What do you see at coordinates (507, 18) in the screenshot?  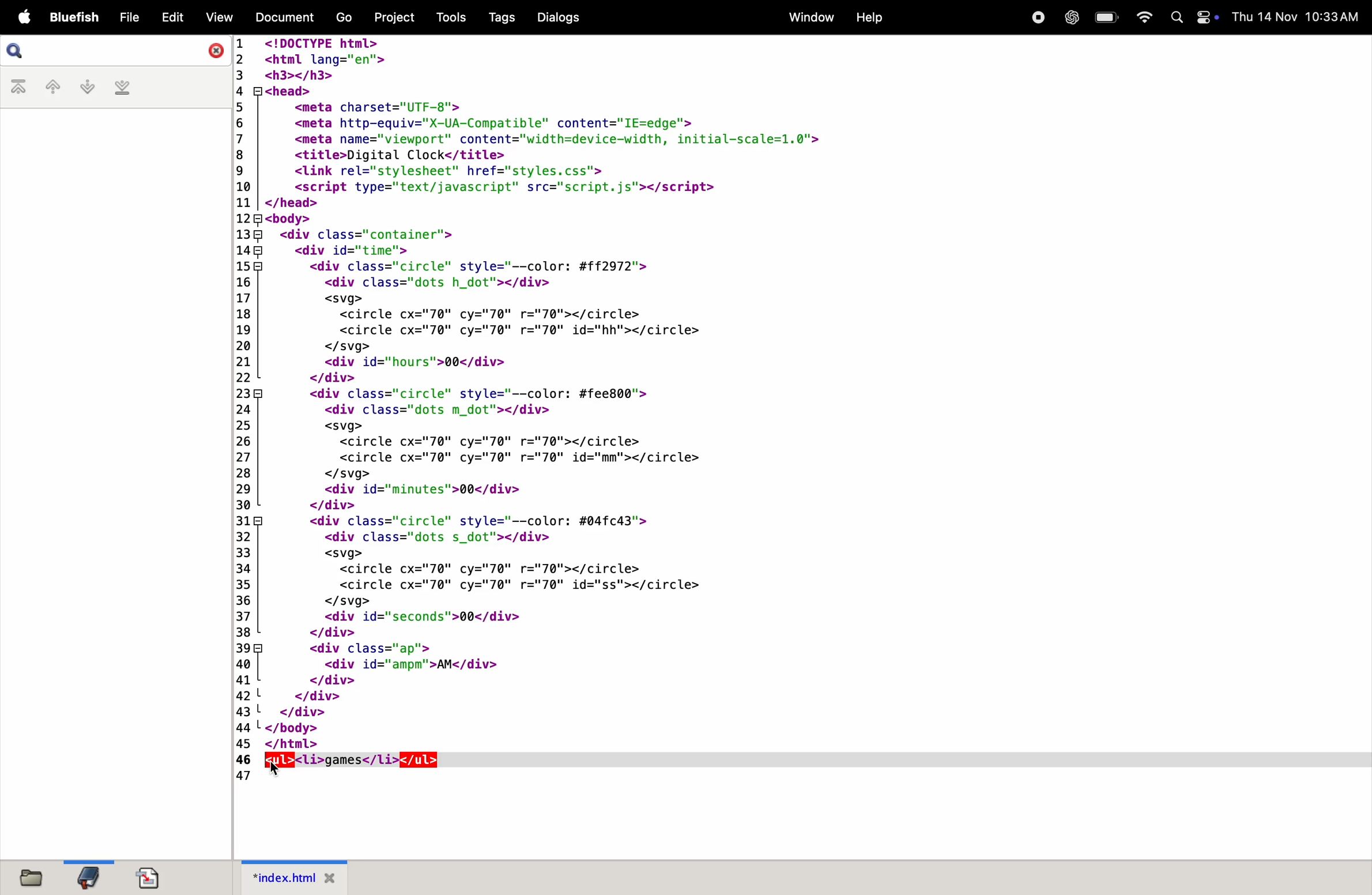 I see `tags` at bounding box center [507, 18].